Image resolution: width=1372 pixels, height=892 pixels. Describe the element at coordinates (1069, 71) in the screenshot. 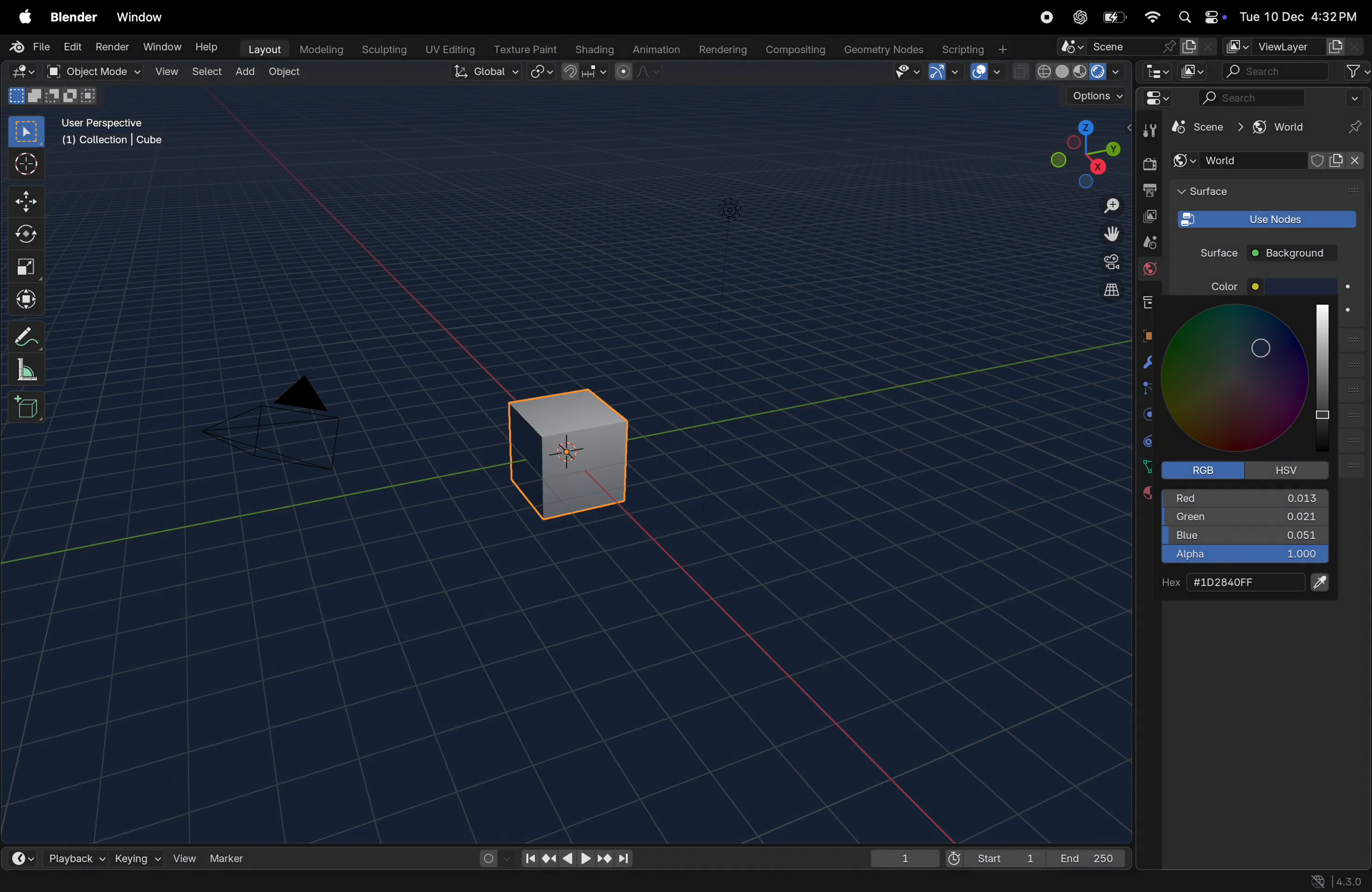

I see `view port shading` at that location.